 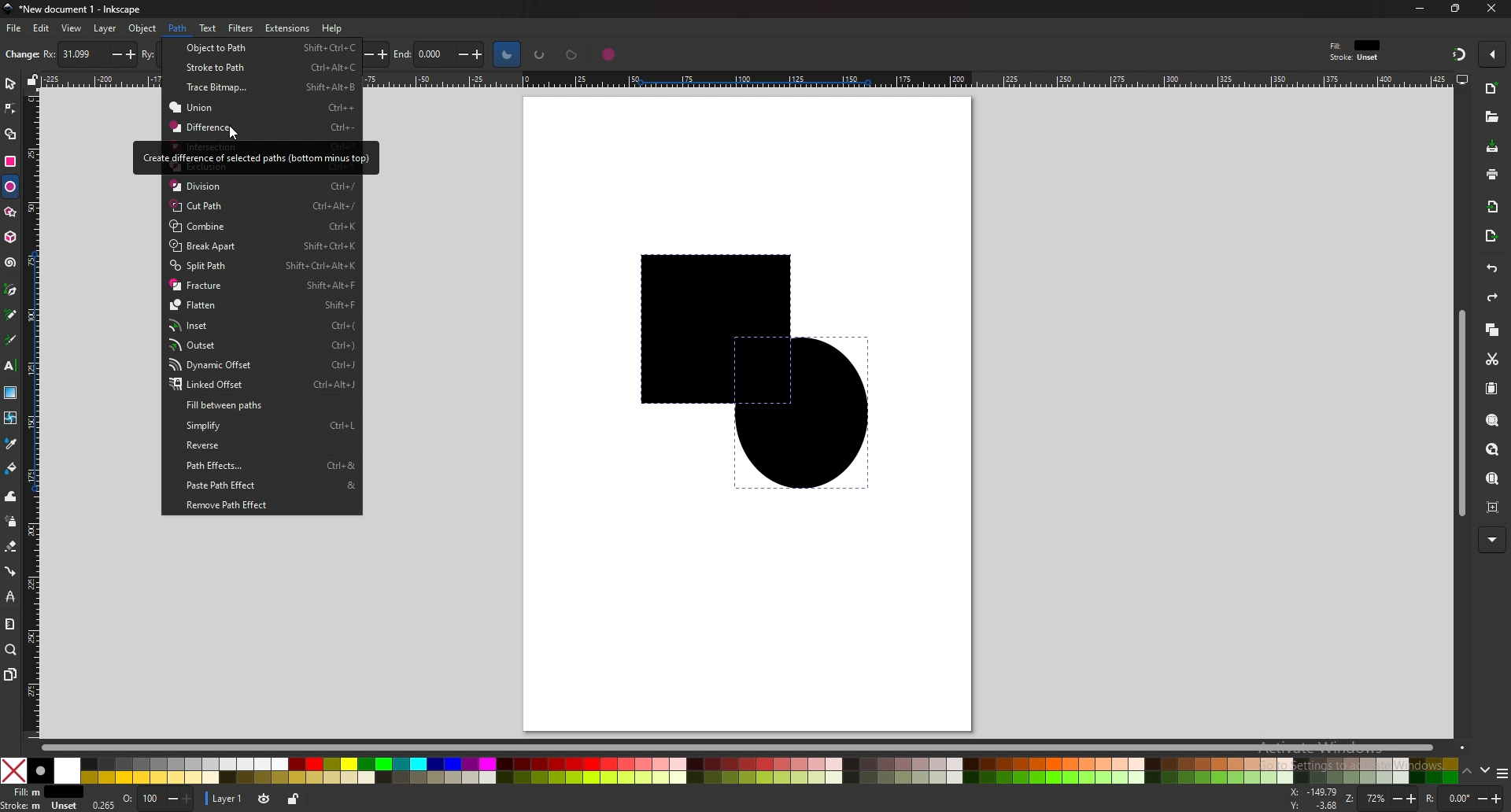 What do you see at coordinates (1494, 478) in the screenshot?
I see `zoom page` at bounding box center [1494, 478].